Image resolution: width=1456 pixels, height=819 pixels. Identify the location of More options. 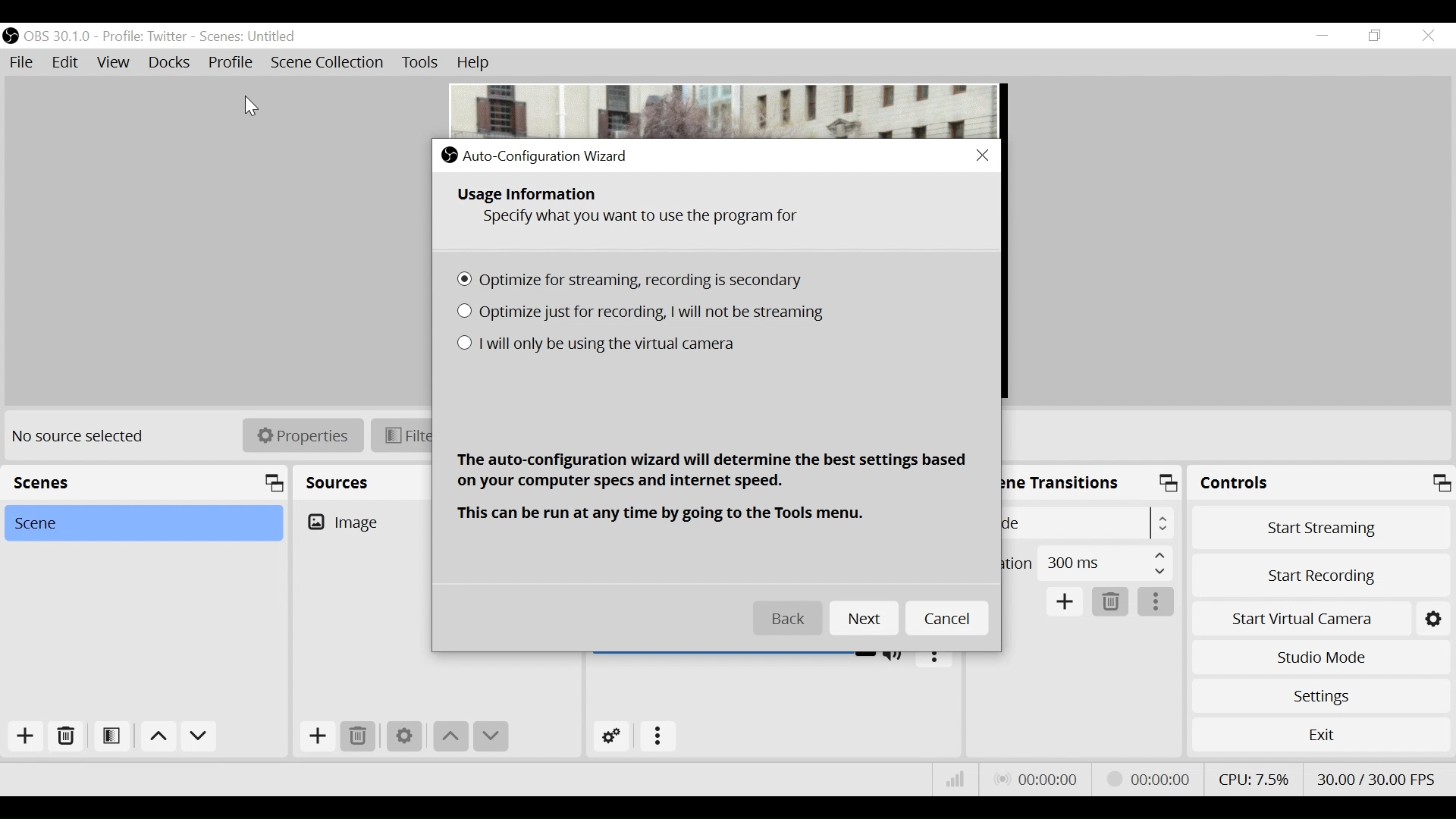
(1156, 602).